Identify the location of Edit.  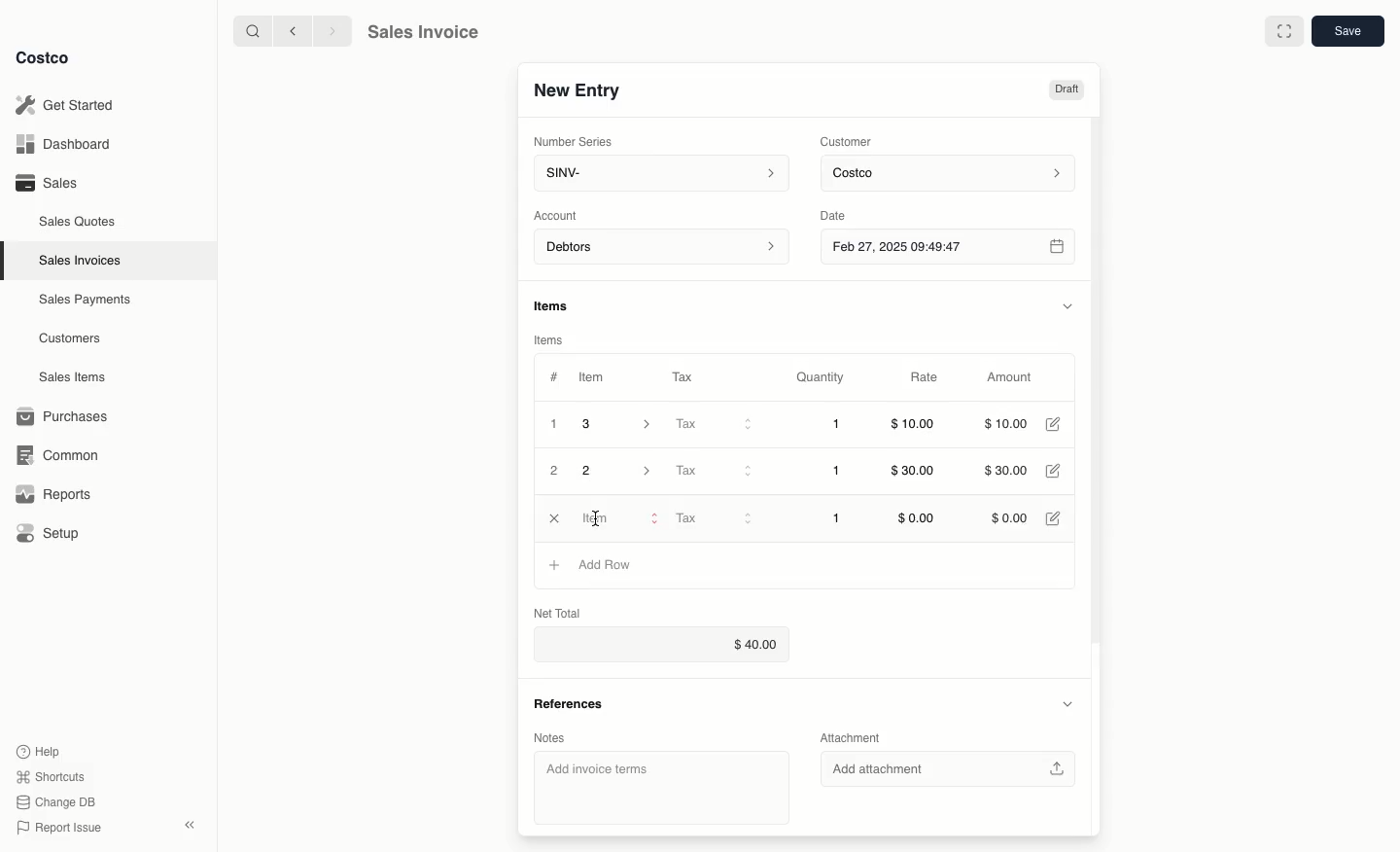
(1057, 472).